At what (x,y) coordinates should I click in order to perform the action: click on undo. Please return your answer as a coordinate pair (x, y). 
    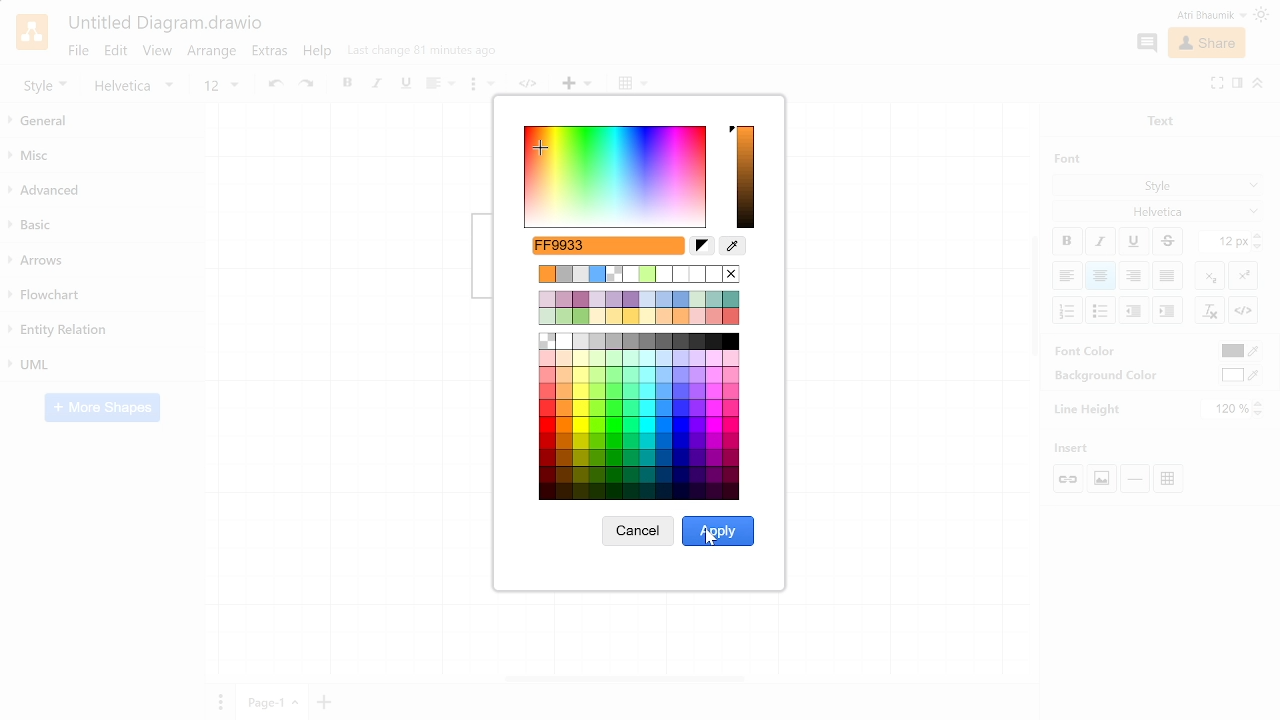
    Looking at the image, I should click on (273, 85).